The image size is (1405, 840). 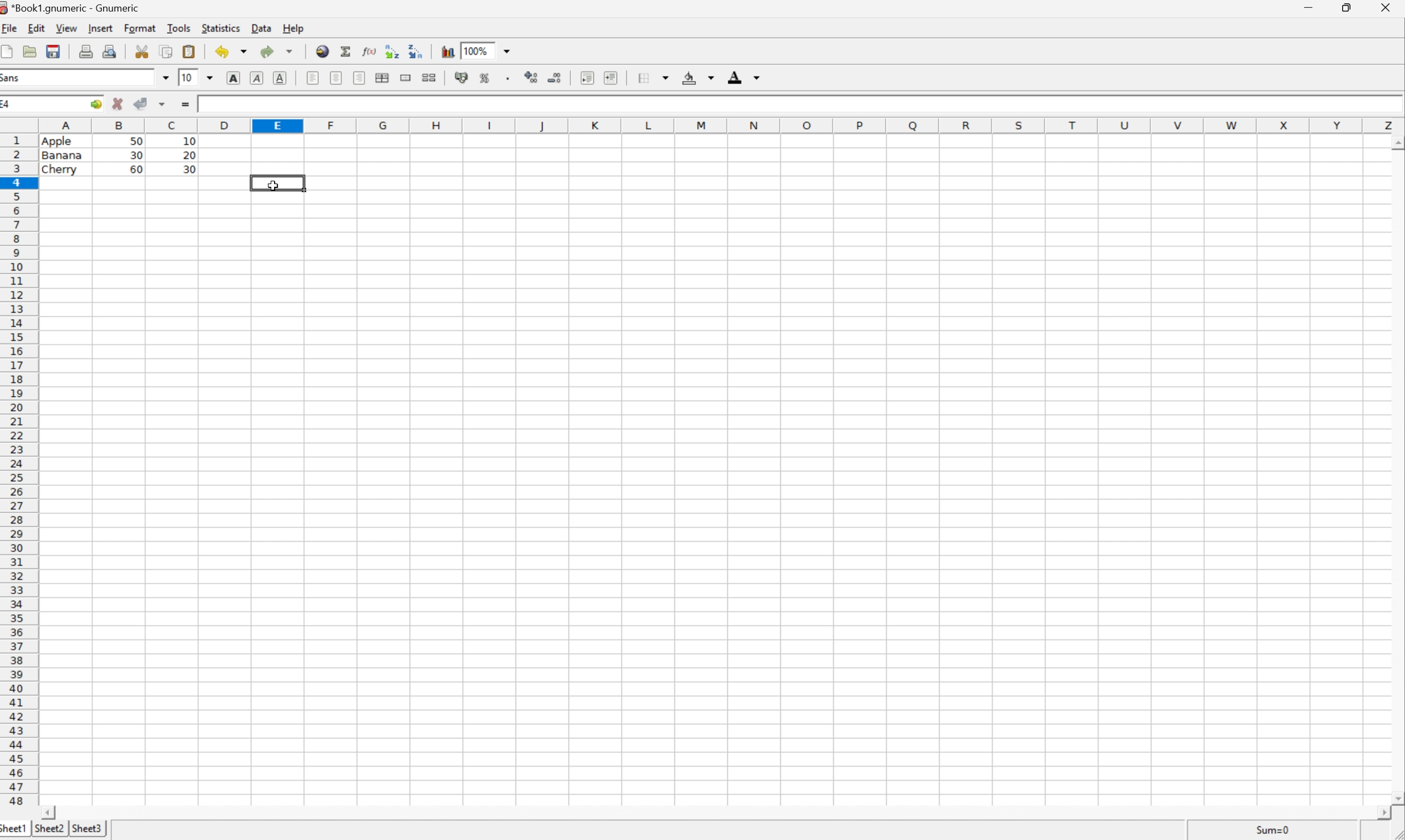 What do you see at coordinates (430, 78) in the screenshot?
I see `split merged ranges of cells` at bounding box center [430, 78].